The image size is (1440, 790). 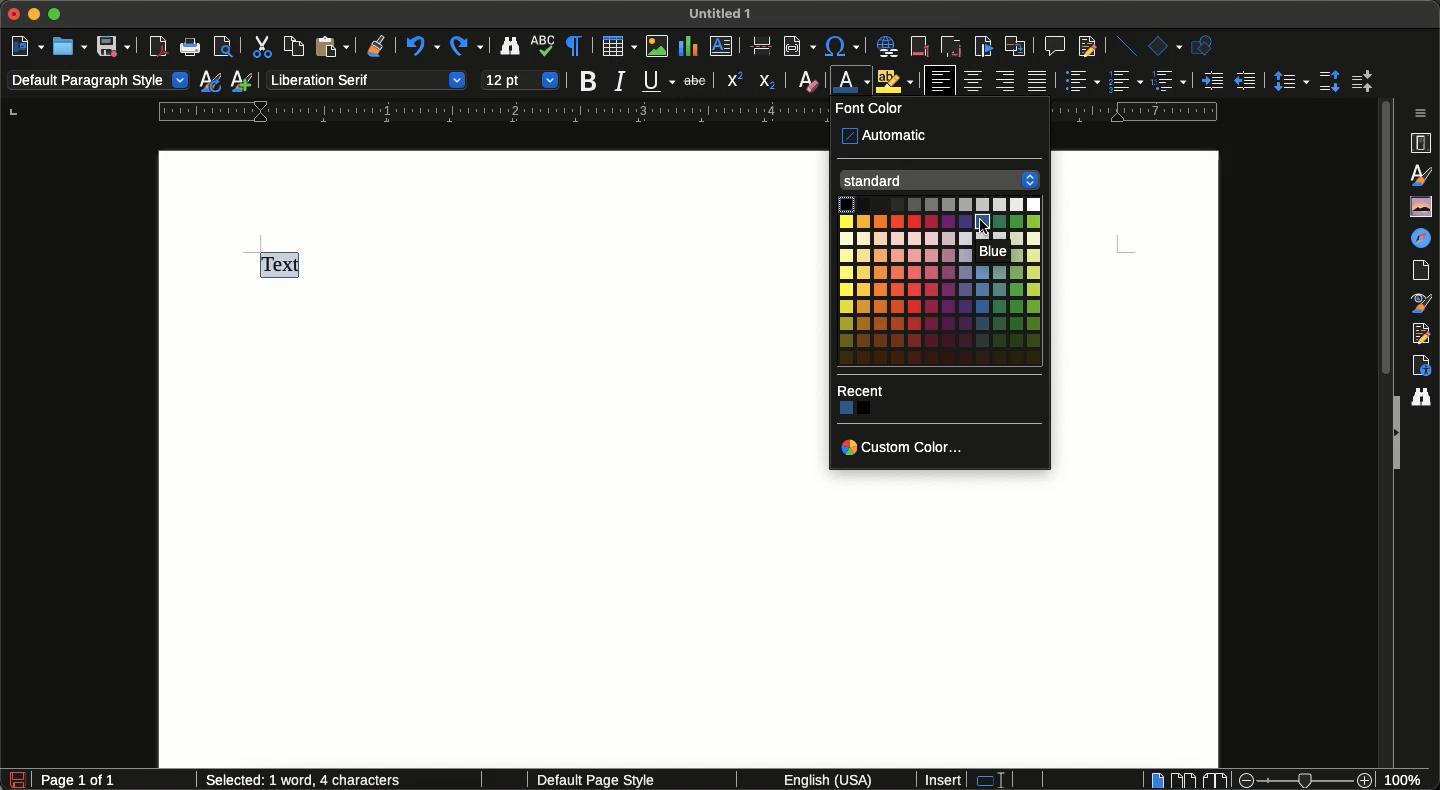 I want to click on Select outline format, so click(x=1169, y=81).